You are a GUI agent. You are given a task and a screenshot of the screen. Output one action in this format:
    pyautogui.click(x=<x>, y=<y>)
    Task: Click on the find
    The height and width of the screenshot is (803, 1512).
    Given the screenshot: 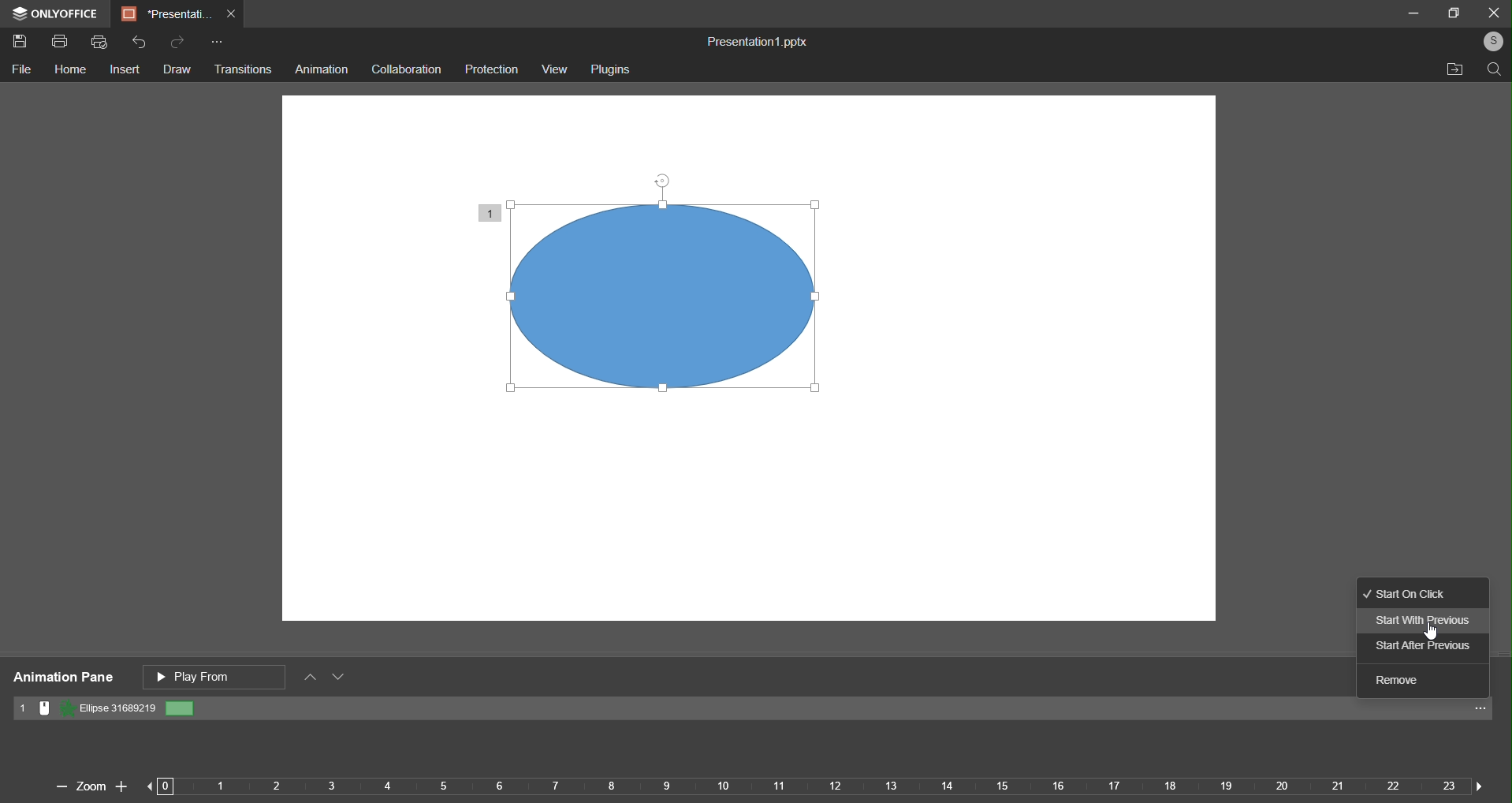 What is the action you would take?
    pyautogui.click(x=1492, y=69)
    